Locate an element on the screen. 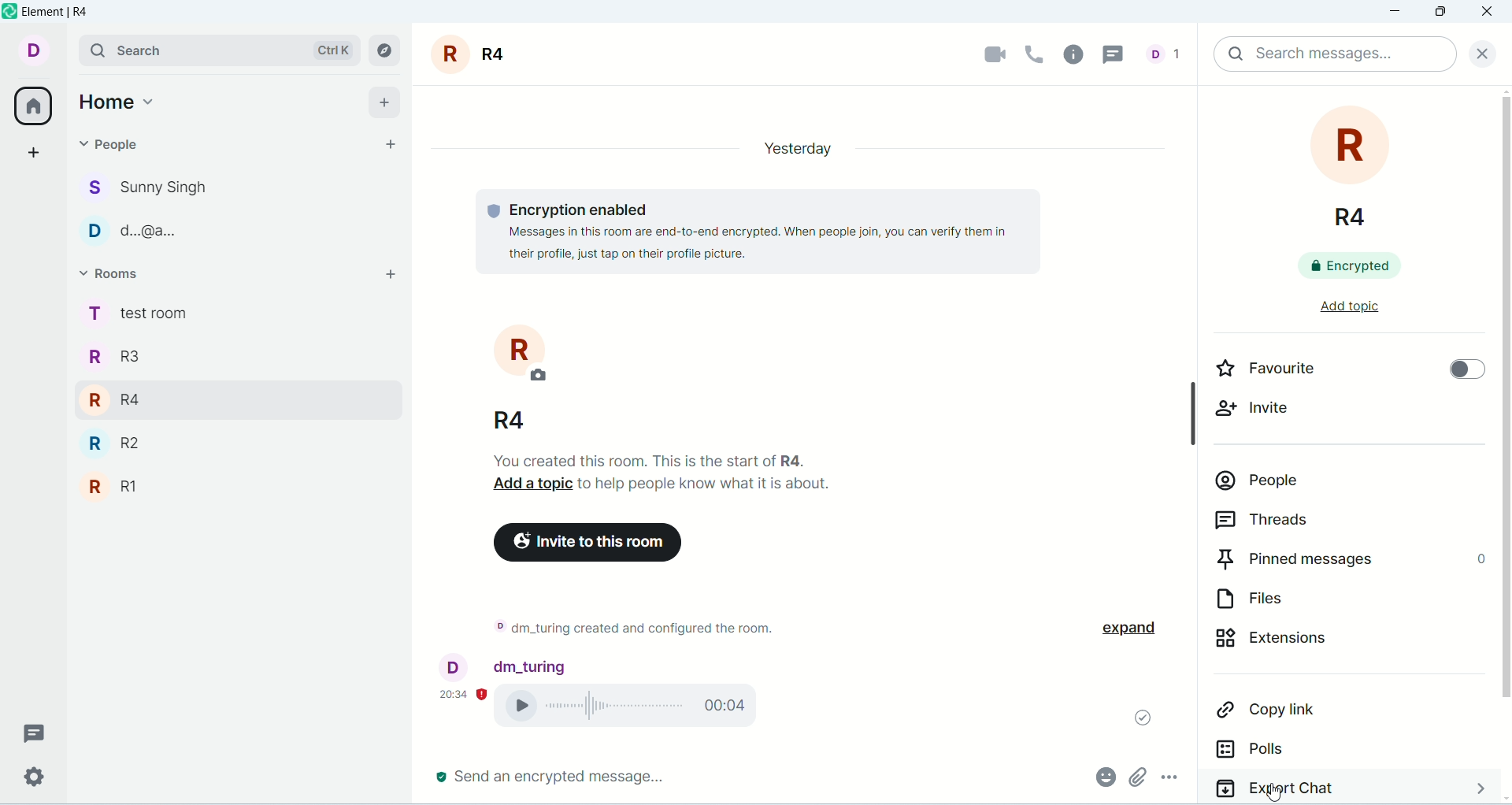 The height and width of the screenshot is (805, 1512). close is located at coordinates (1478, 51).